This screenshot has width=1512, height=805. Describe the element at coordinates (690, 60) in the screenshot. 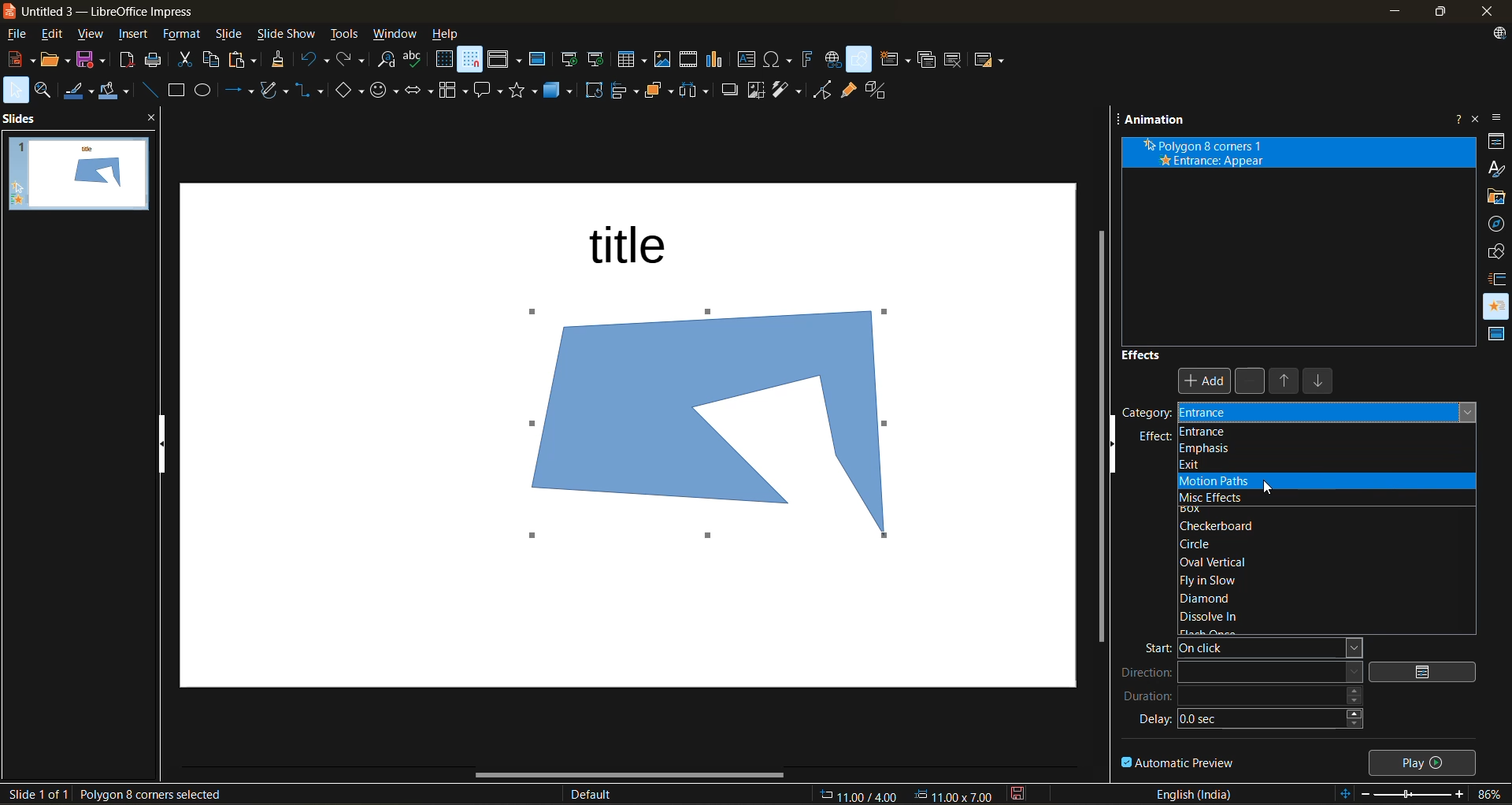

I see `insert audio or video` at that location.